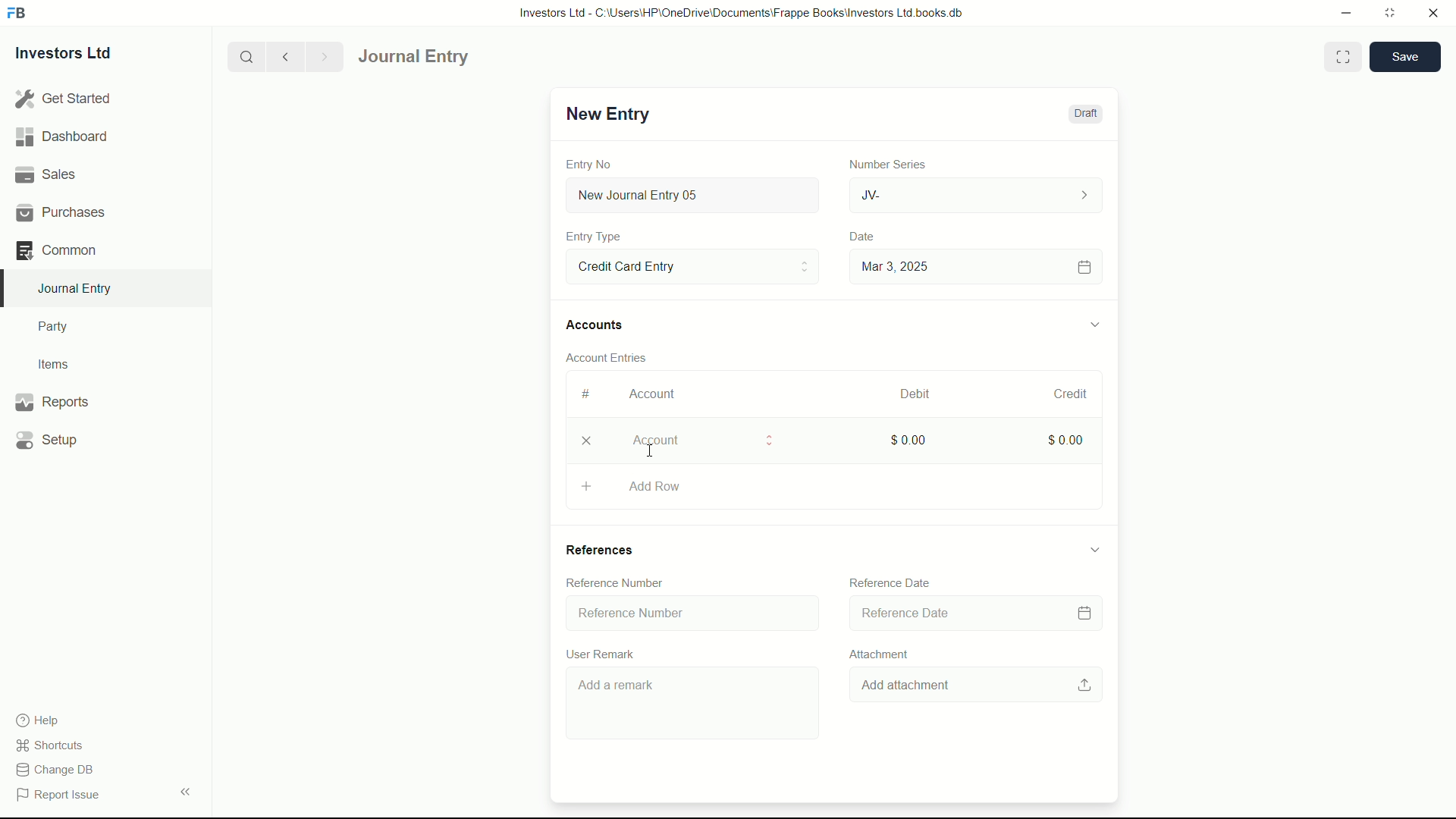 The height and width of the screenshot is (819, 1456). What do you see at coordinates (974, 612) in the screenshot?
I see `Reference Date` at bounding box center [974, 612].